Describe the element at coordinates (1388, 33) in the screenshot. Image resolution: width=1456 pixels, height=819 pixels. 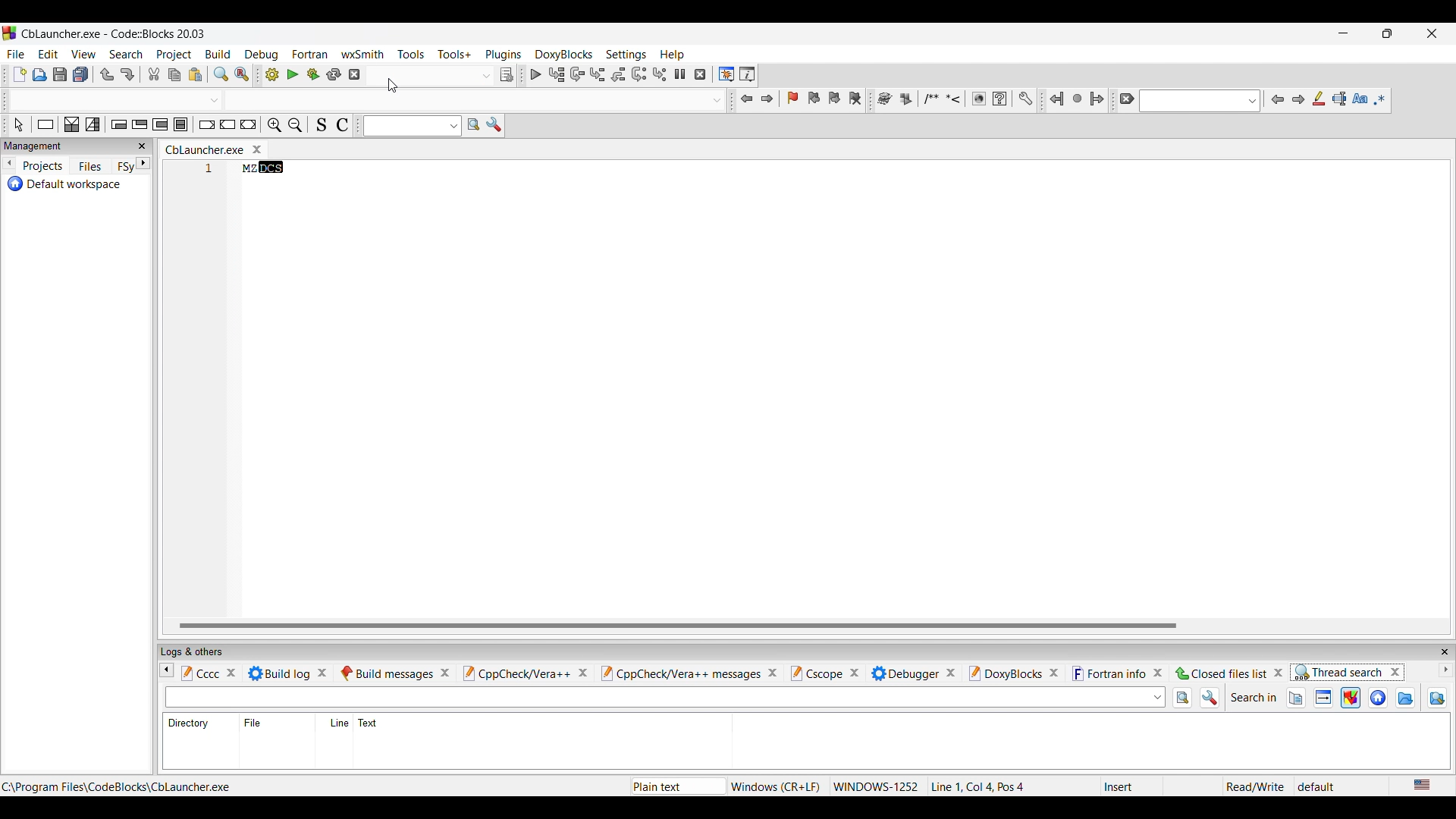
I see `Show interface in a smaller tab` at that location.